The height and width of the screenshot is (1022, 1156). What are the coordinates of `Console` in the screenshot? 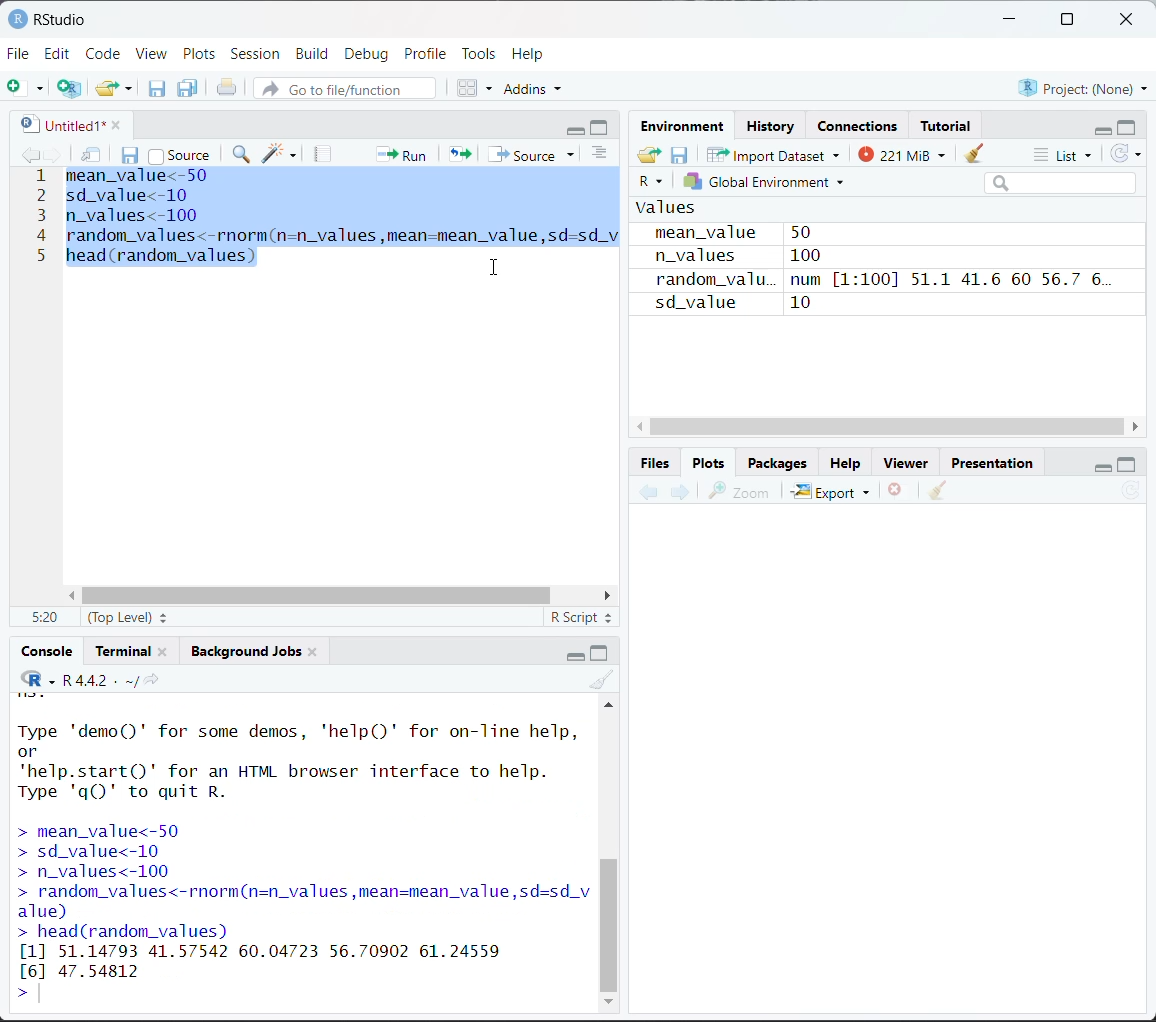 It's located at (48, 651).